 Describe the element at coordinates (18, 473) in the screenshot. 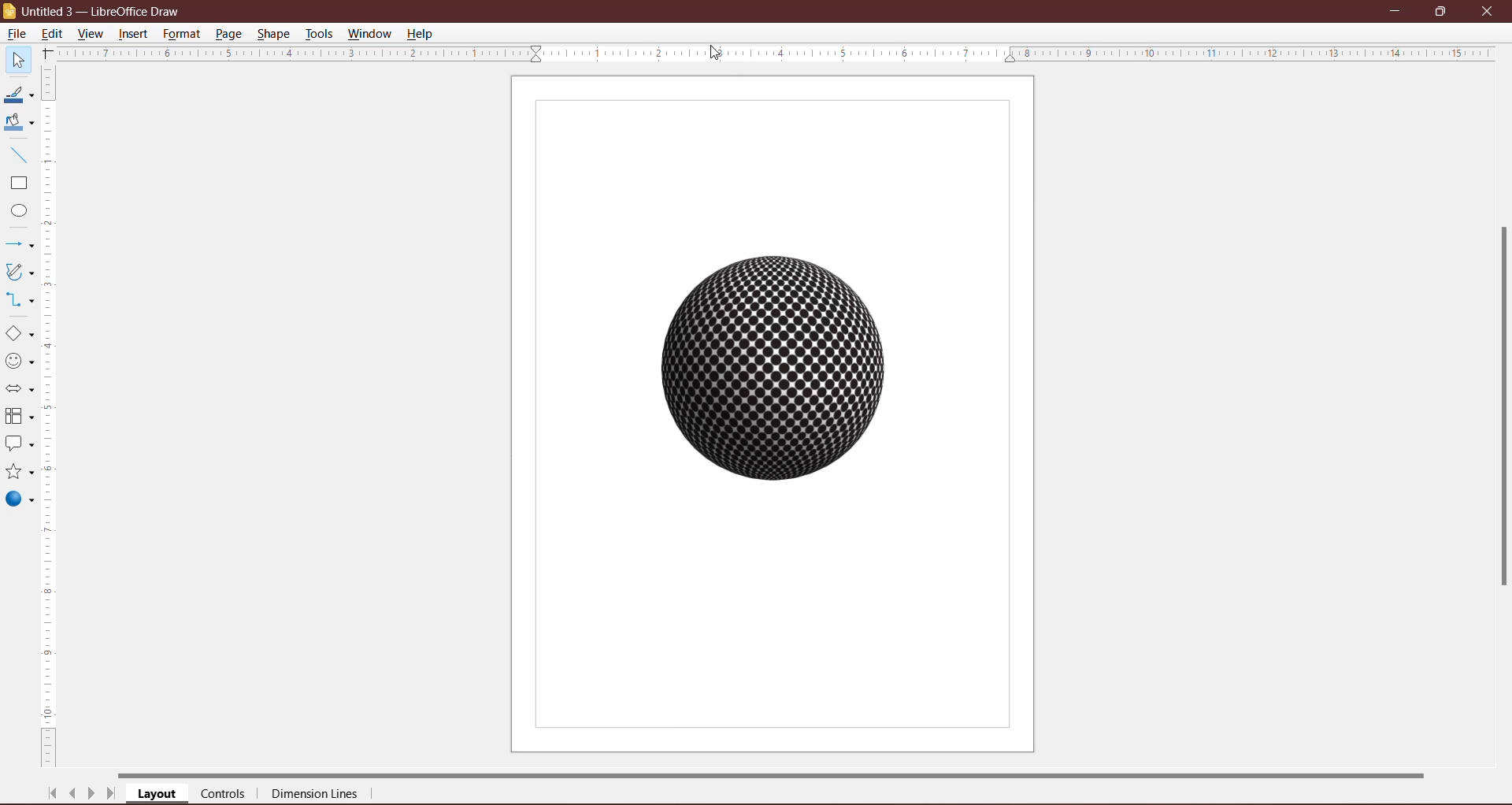

I see `Stars and Banners` at that location.